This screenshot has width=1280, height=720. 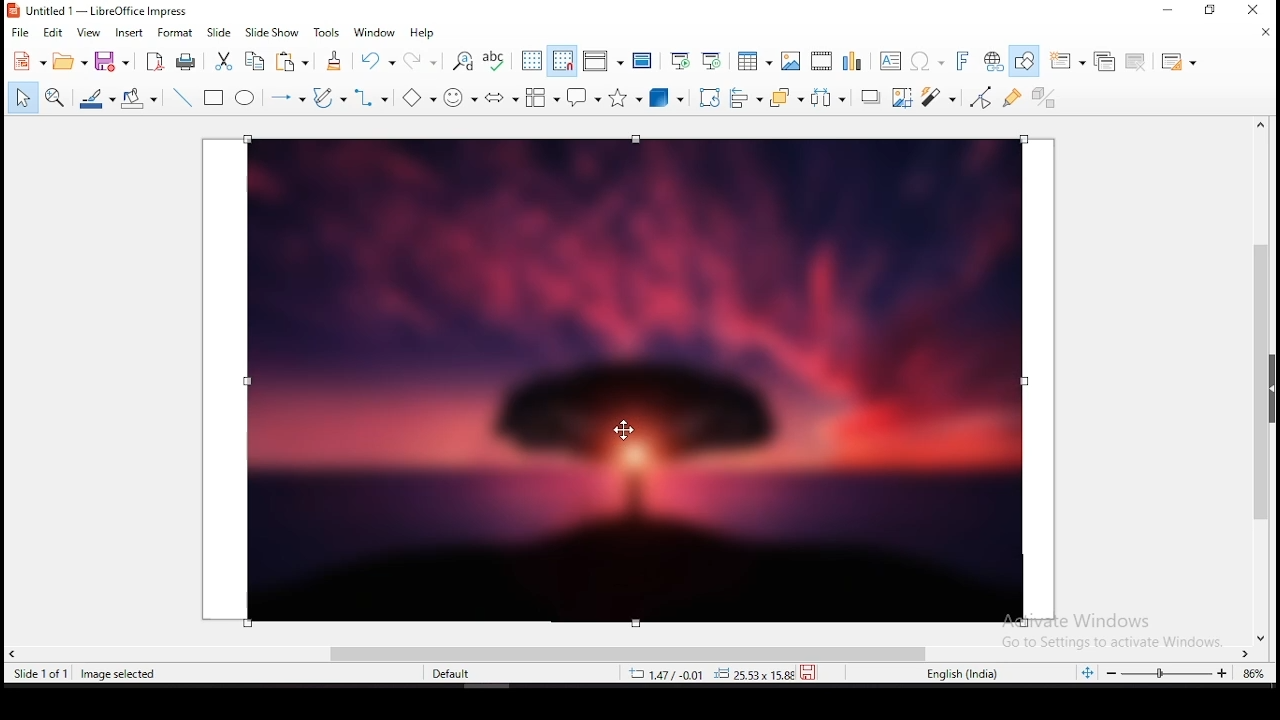 I want to click on start from first slide, so click(x=680, y=59).